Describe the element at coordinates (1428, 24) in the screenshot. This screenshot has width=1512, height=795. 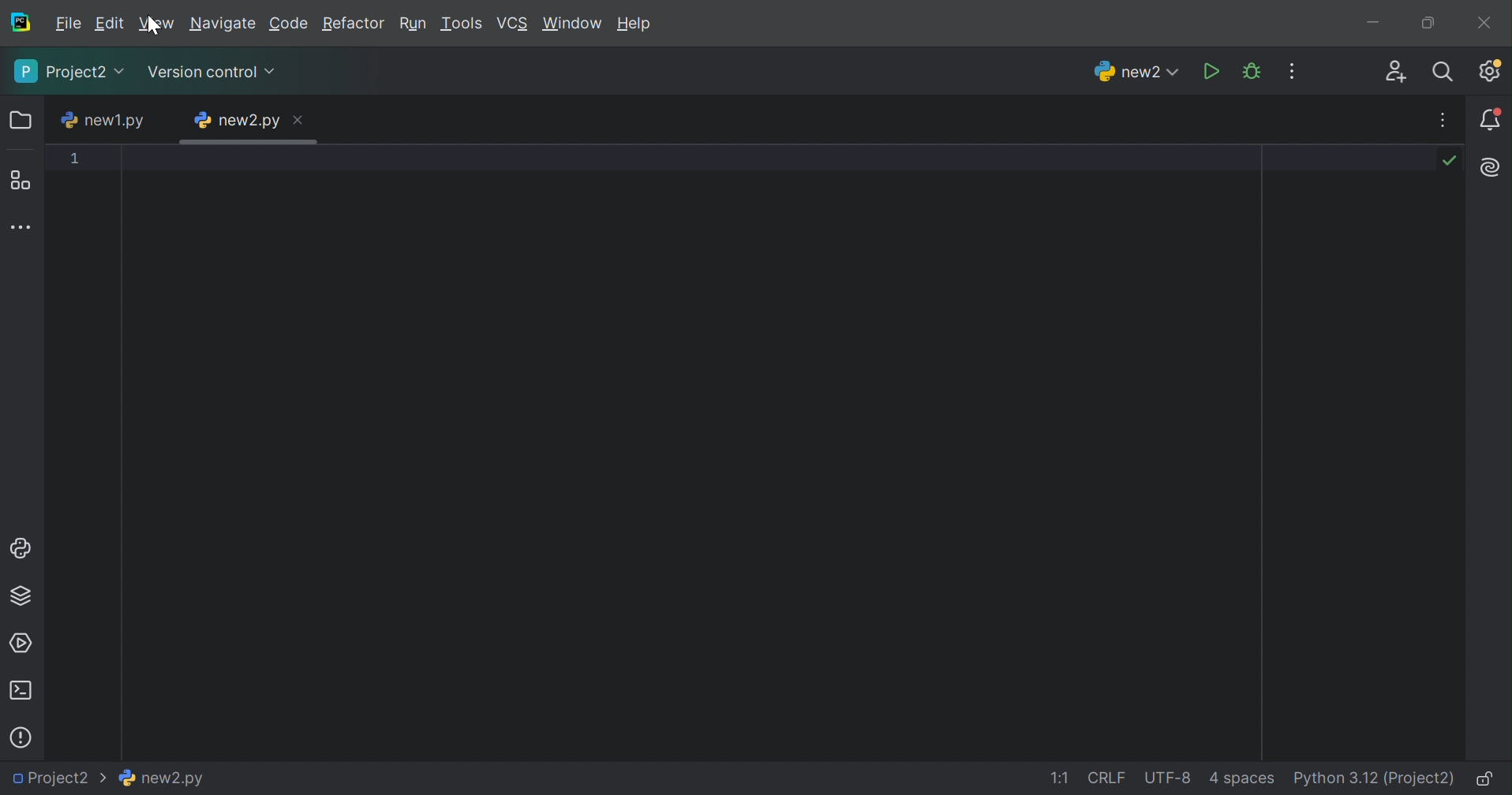
I see `Restore down` at that location.